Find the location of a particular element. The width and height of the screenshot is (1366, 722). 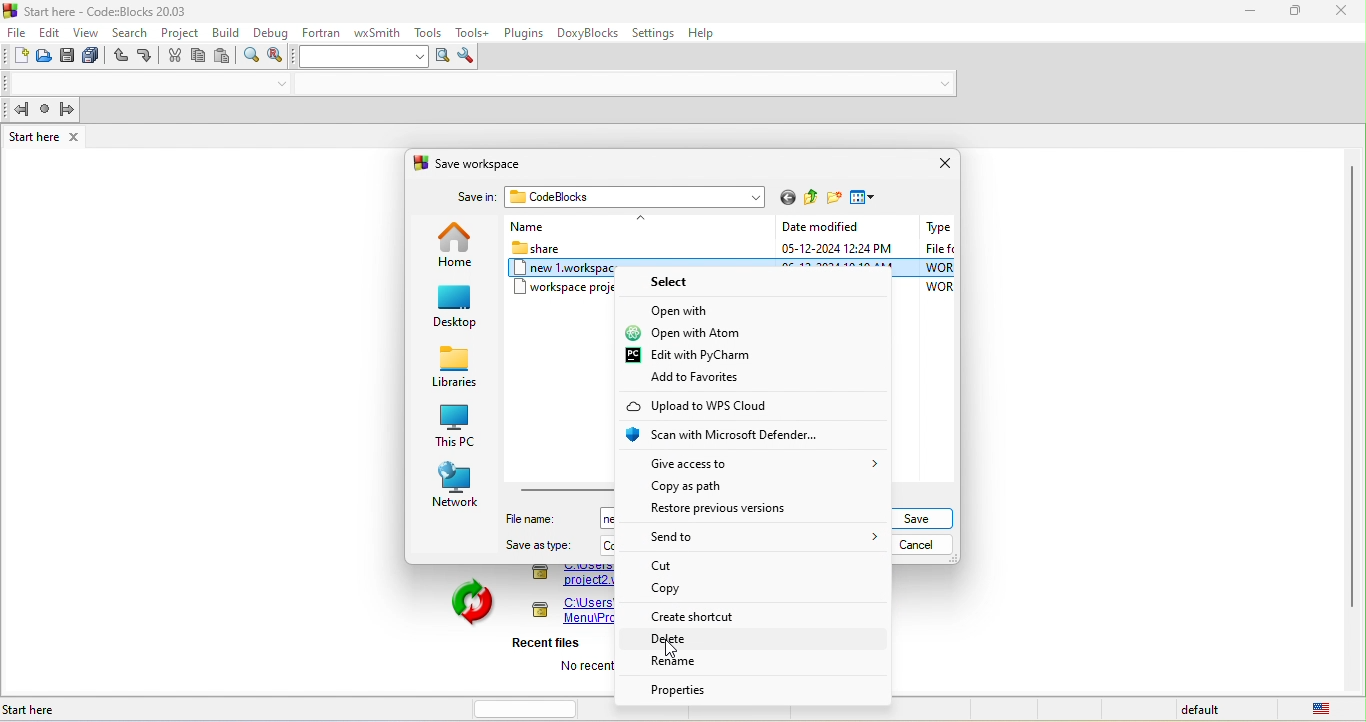

cursor movement is located at coordinates (674, 650).